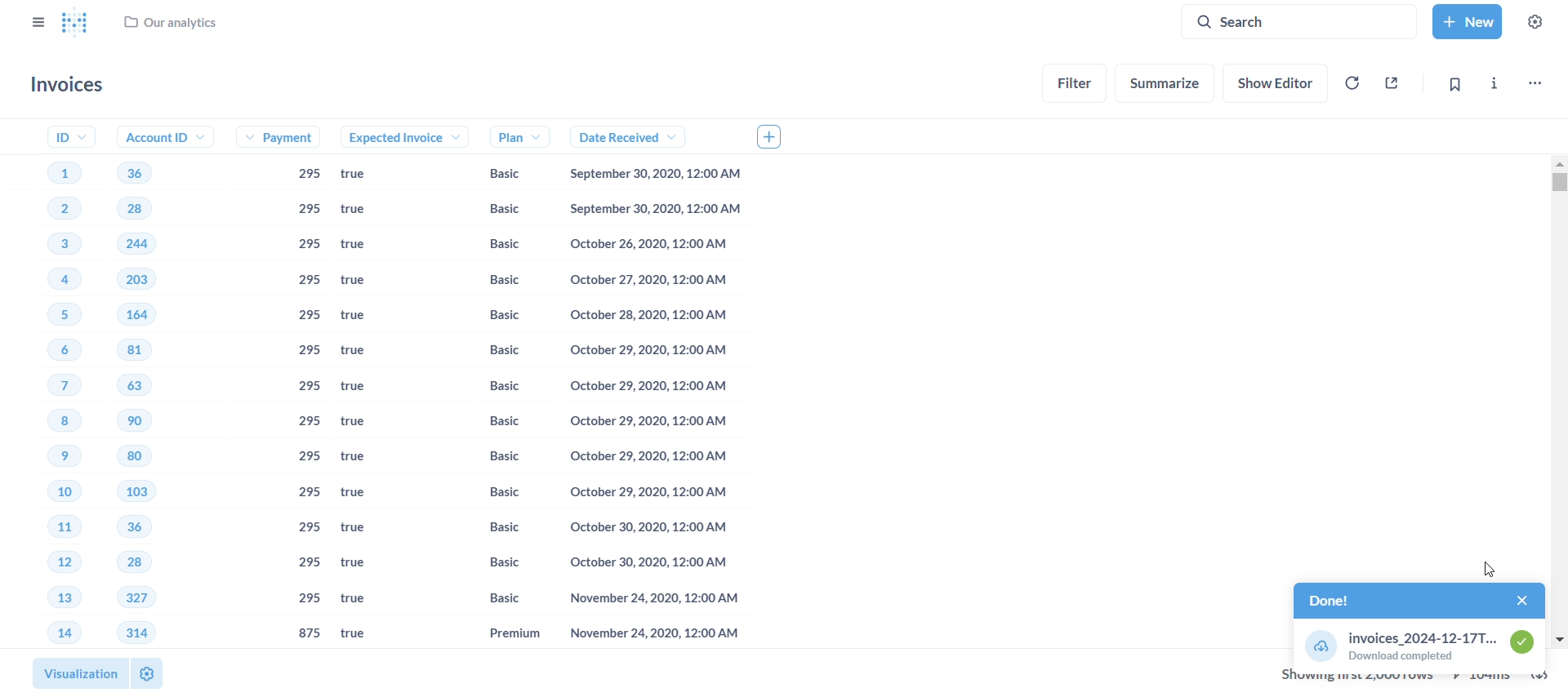 Image resolution: width=1568 pixels, height=697 pixels. Describe the element at coordinates (776, 135) in the screenshot. I see `add column` at that location.